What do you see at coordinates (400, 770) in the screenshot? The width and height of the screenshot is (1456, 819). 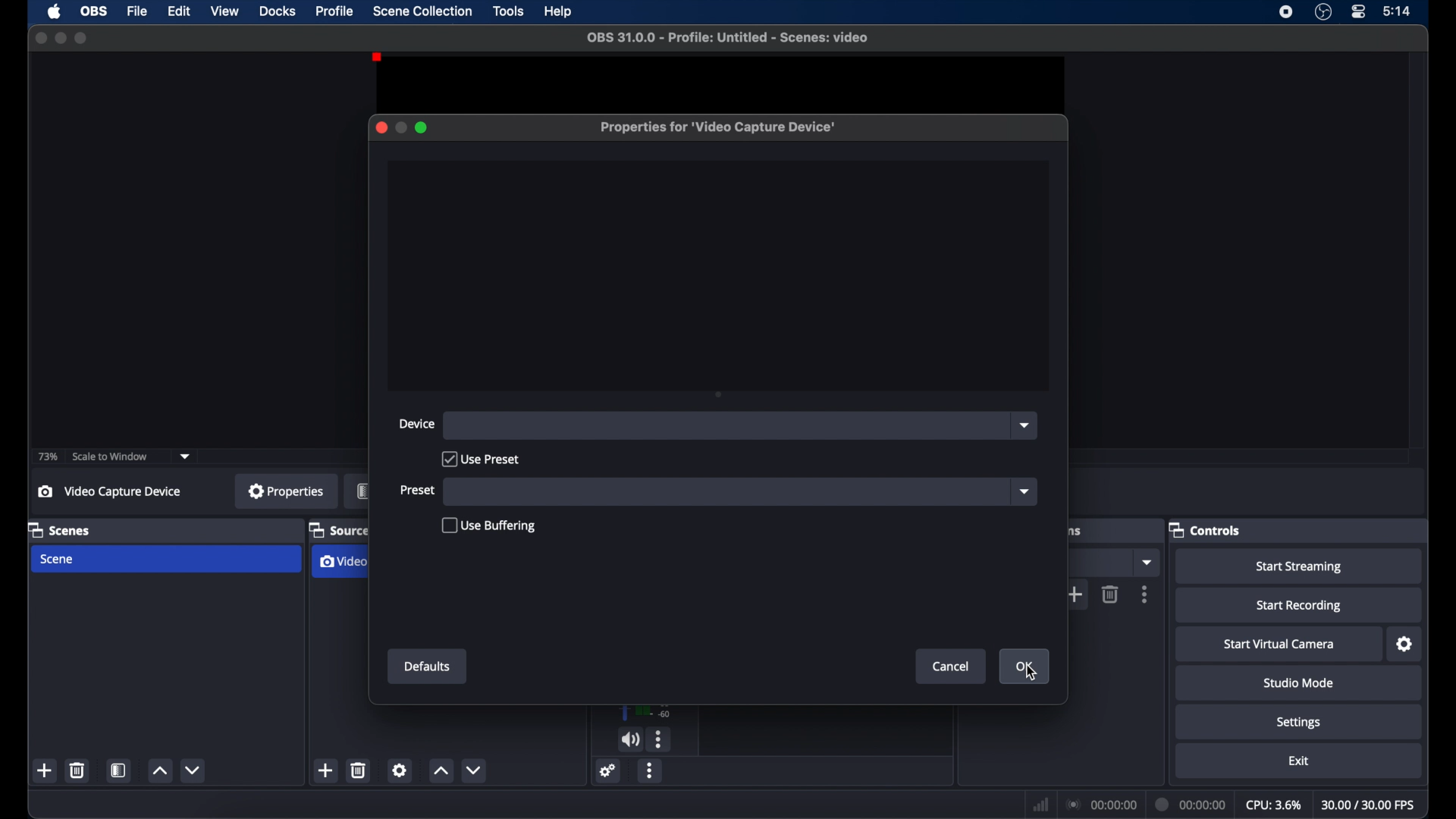 I see `settings` at bounding box center [400, 770].